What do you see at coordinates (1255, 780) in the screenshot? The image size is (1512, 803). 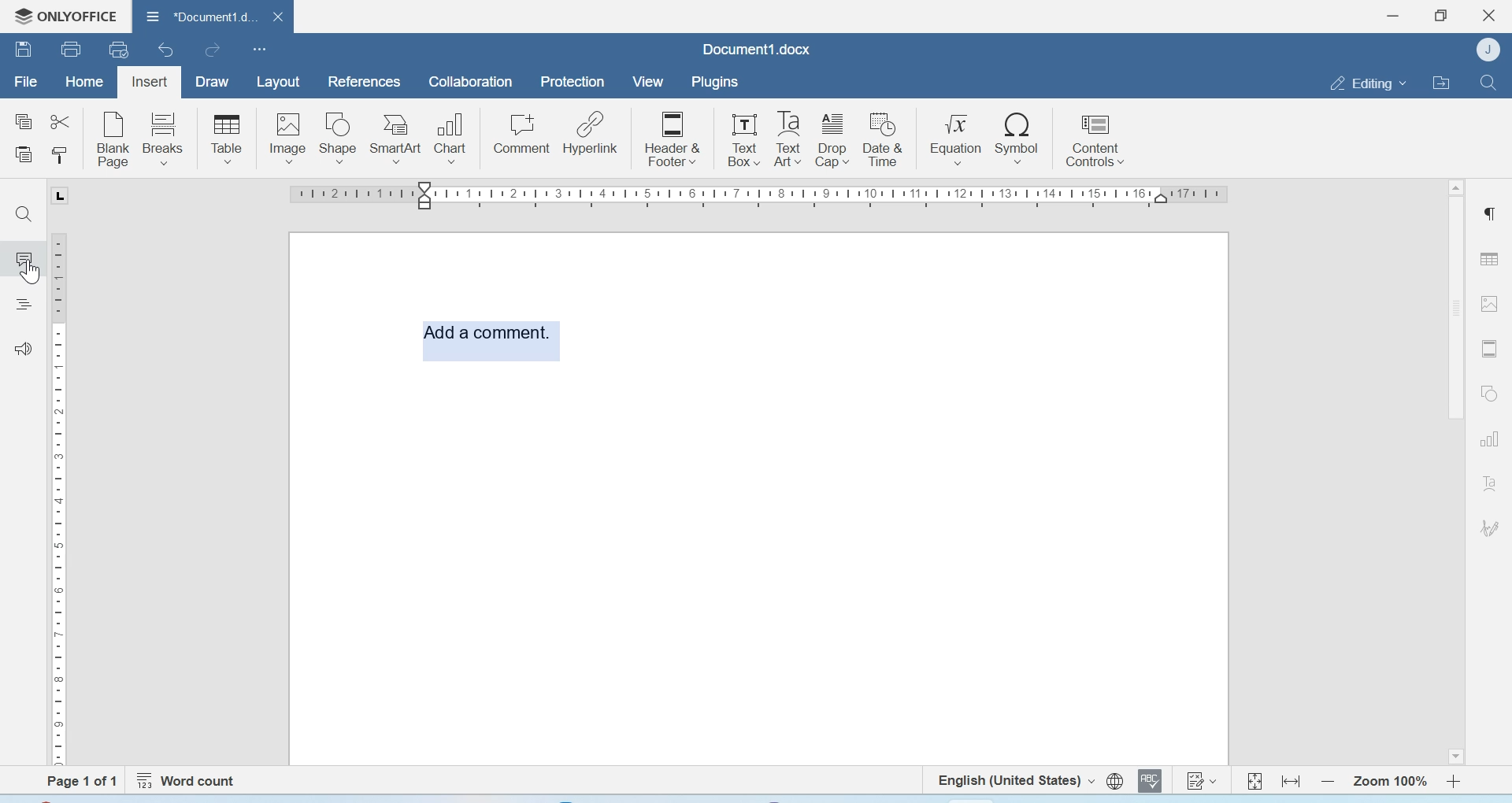 I see `Fit to page` at bounding box center [1255, 780].